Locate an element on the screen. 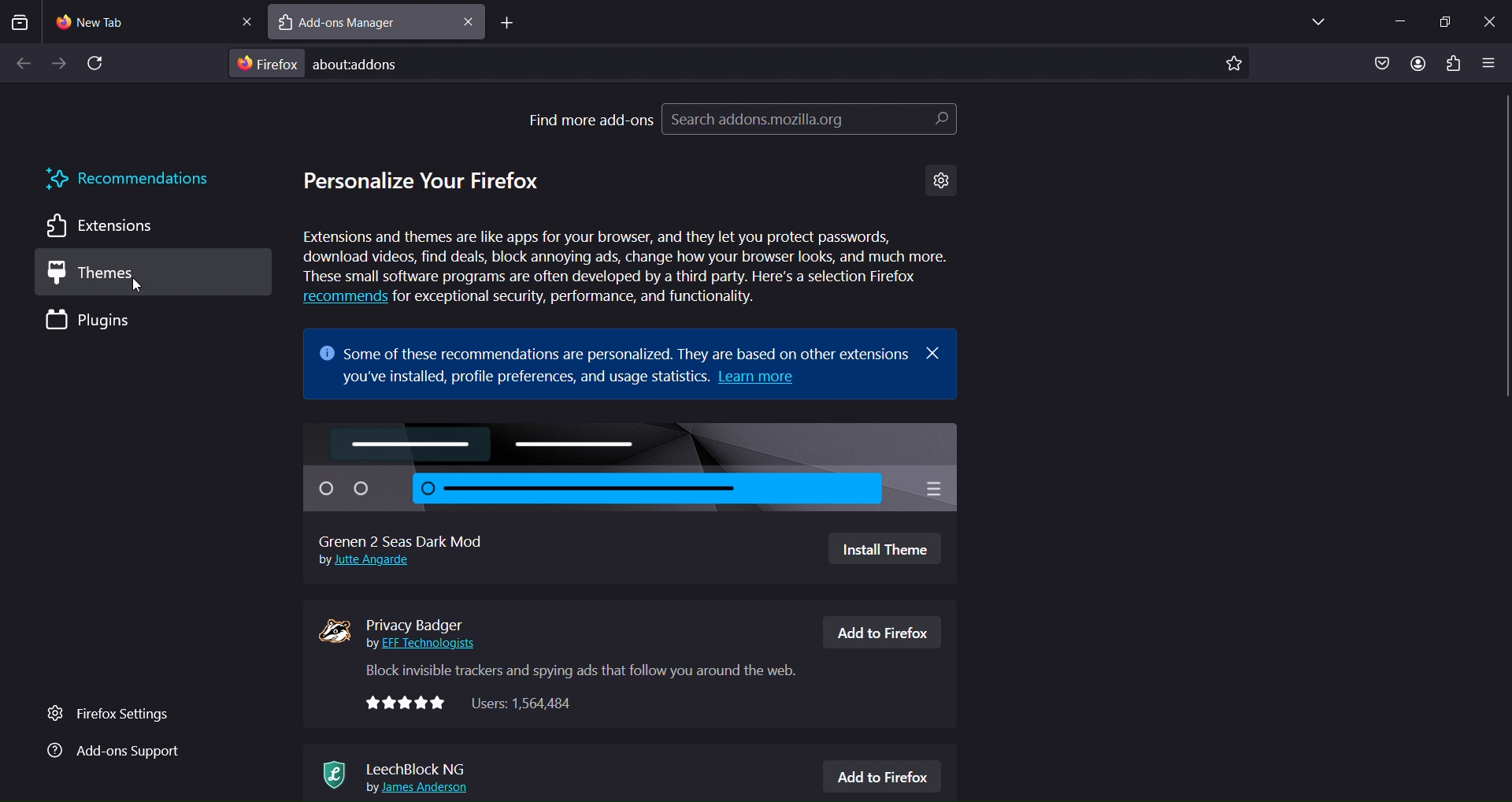 This screenshot has width=1512, height=802. new tab is located at coordinates (506, 24).